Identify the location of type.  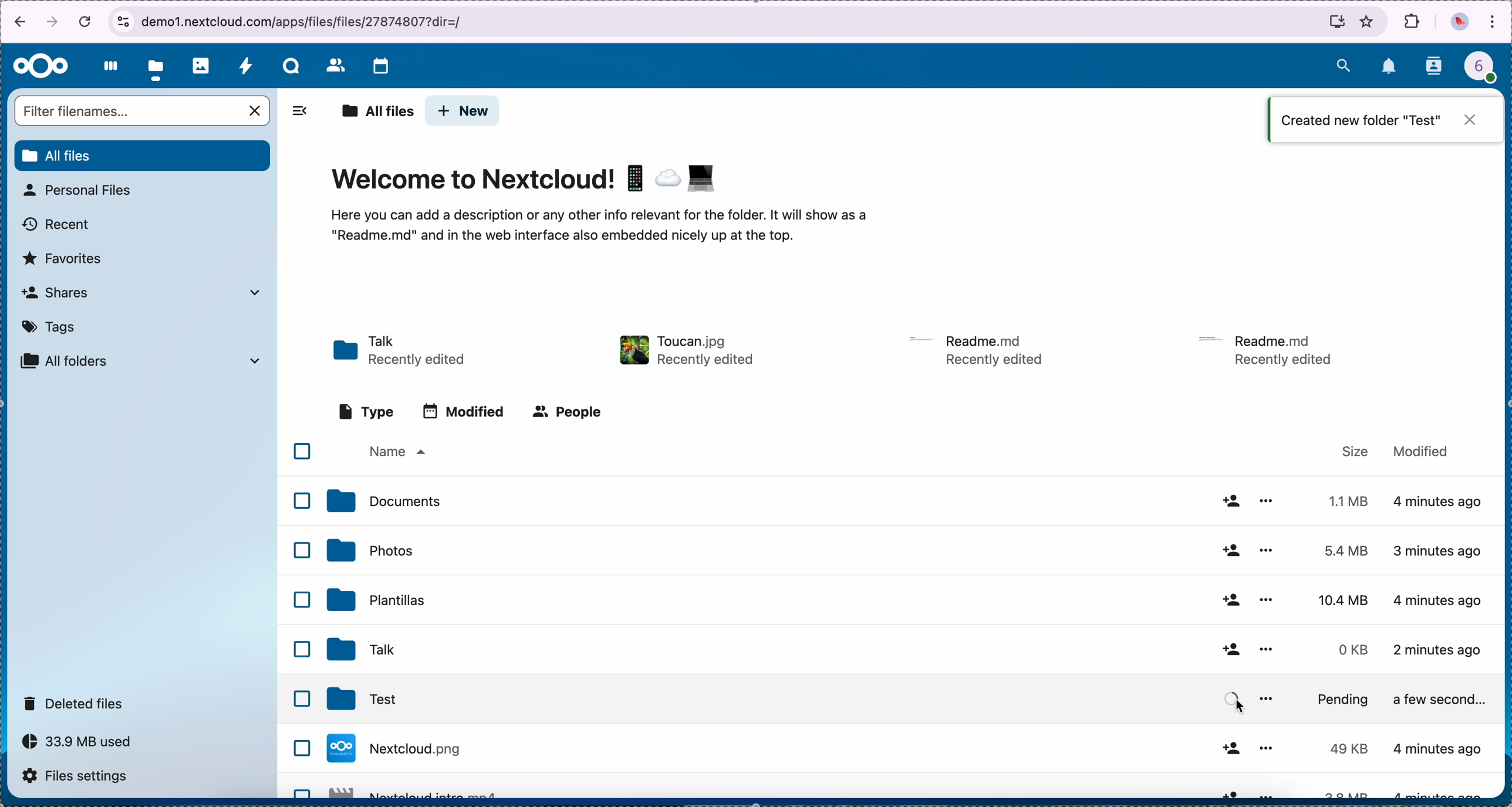
(367, 412).